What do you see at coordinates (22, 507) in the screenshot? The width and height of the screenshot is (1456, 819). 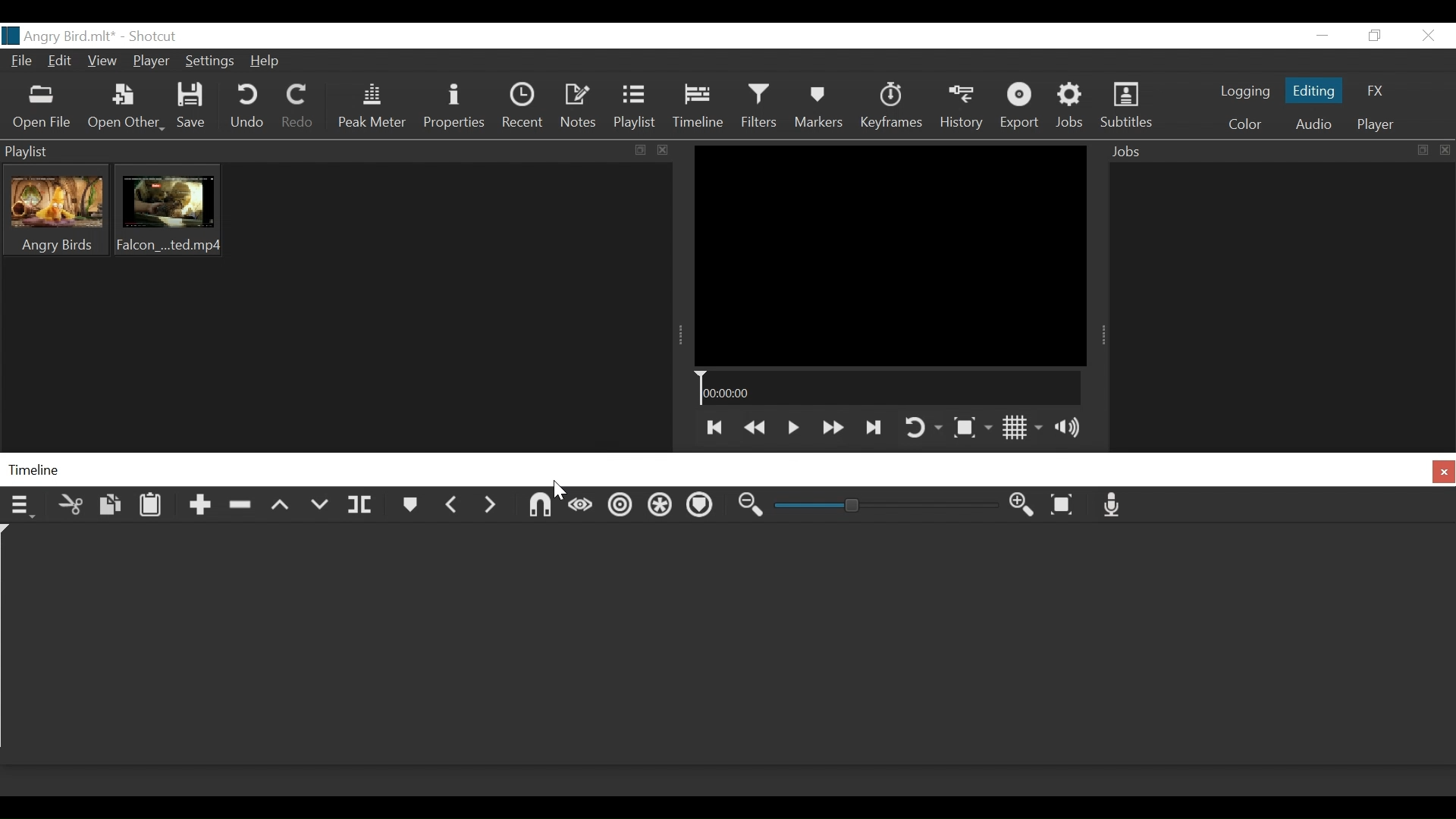 I see `Timeline menu` at bounding box center [22, 507].